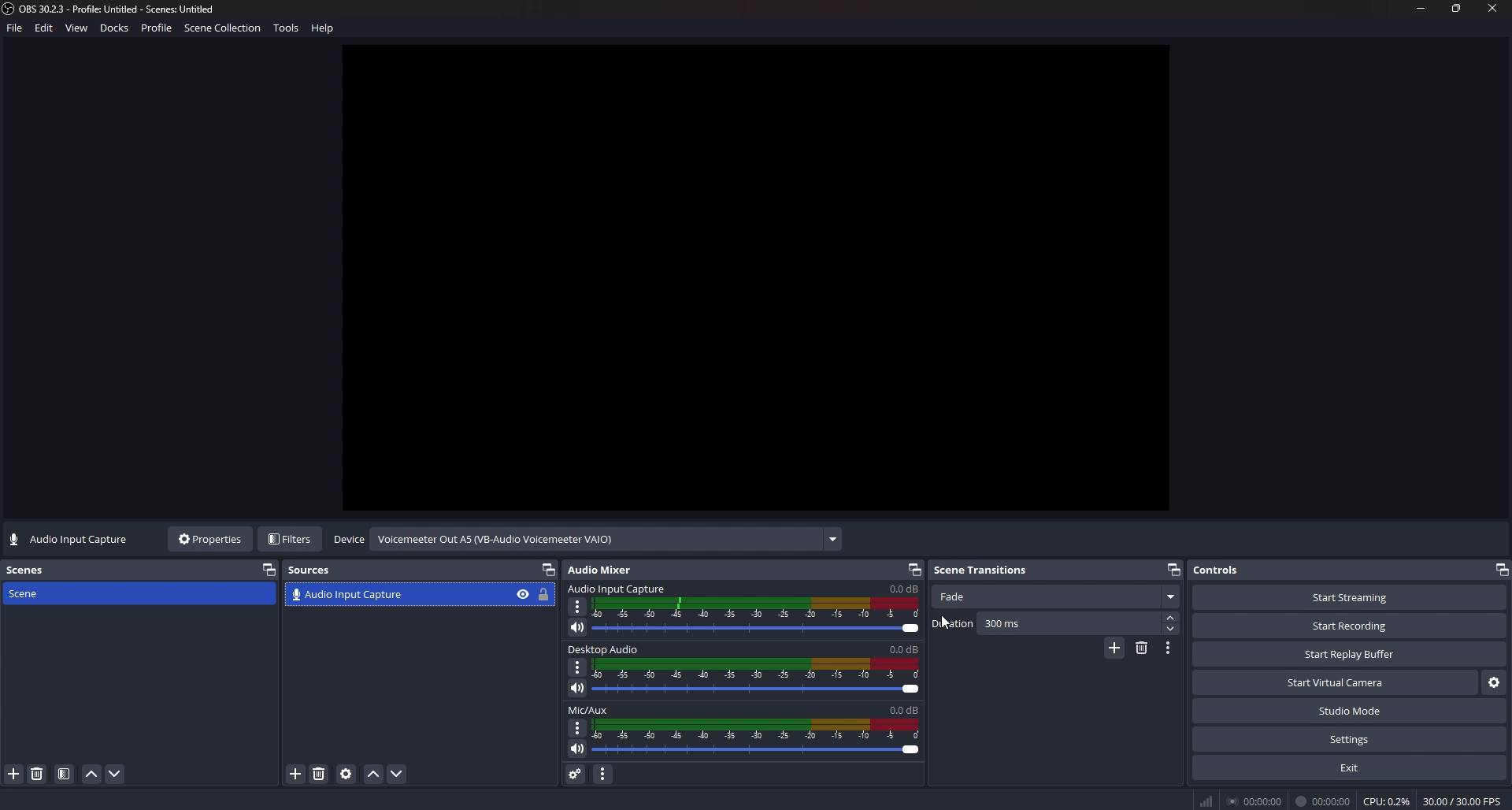 This screenshot has width=1512, height=810. Describe the element at coordinates (572, 729) in the screenshot. I see `options` at that location.